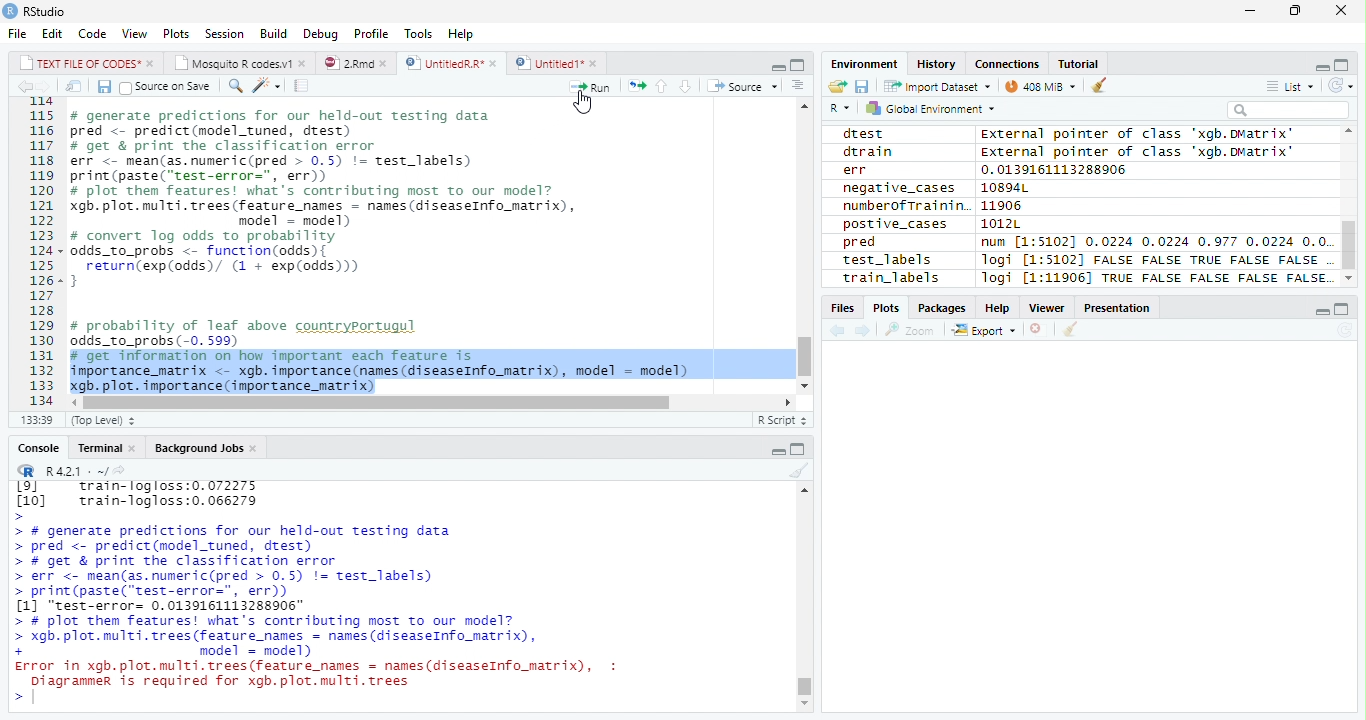 The width and height of the screenshot is (1366, 720). Describe the element at coordinates (164, 87) in the screenshot. I see `Source on Save` at that location.